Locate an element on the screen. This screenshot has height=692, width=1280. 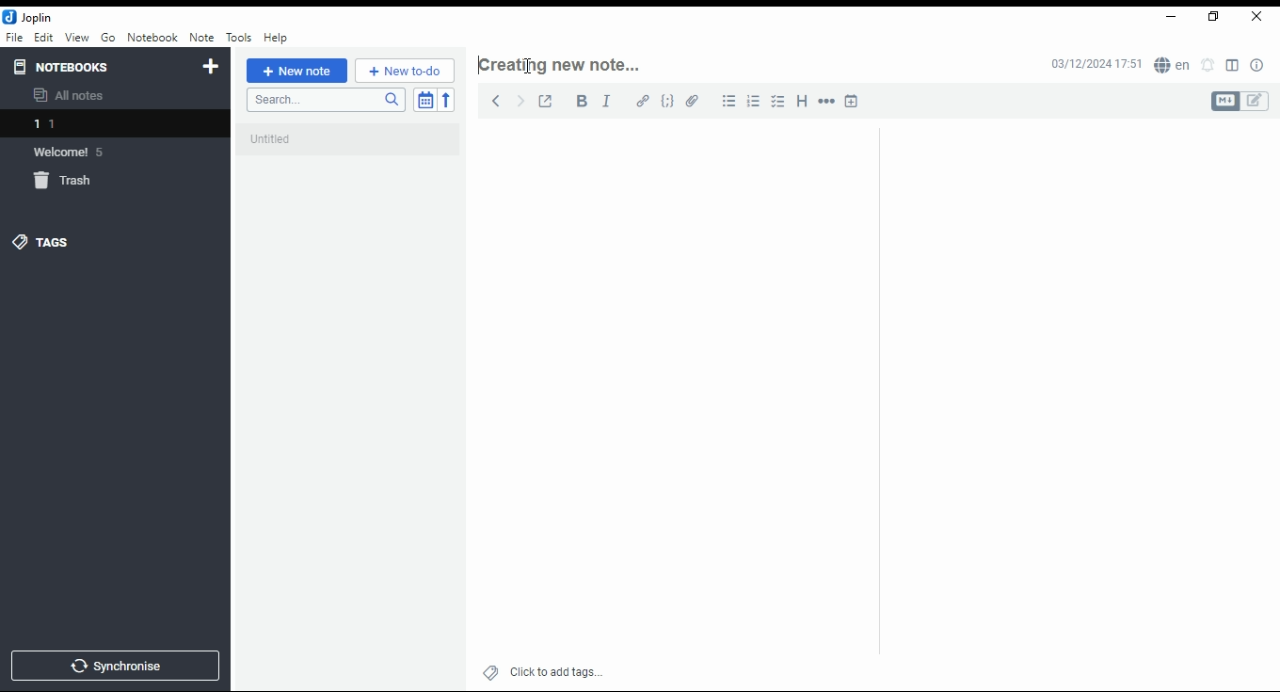
numbered list is located at coordinates (756, 101).